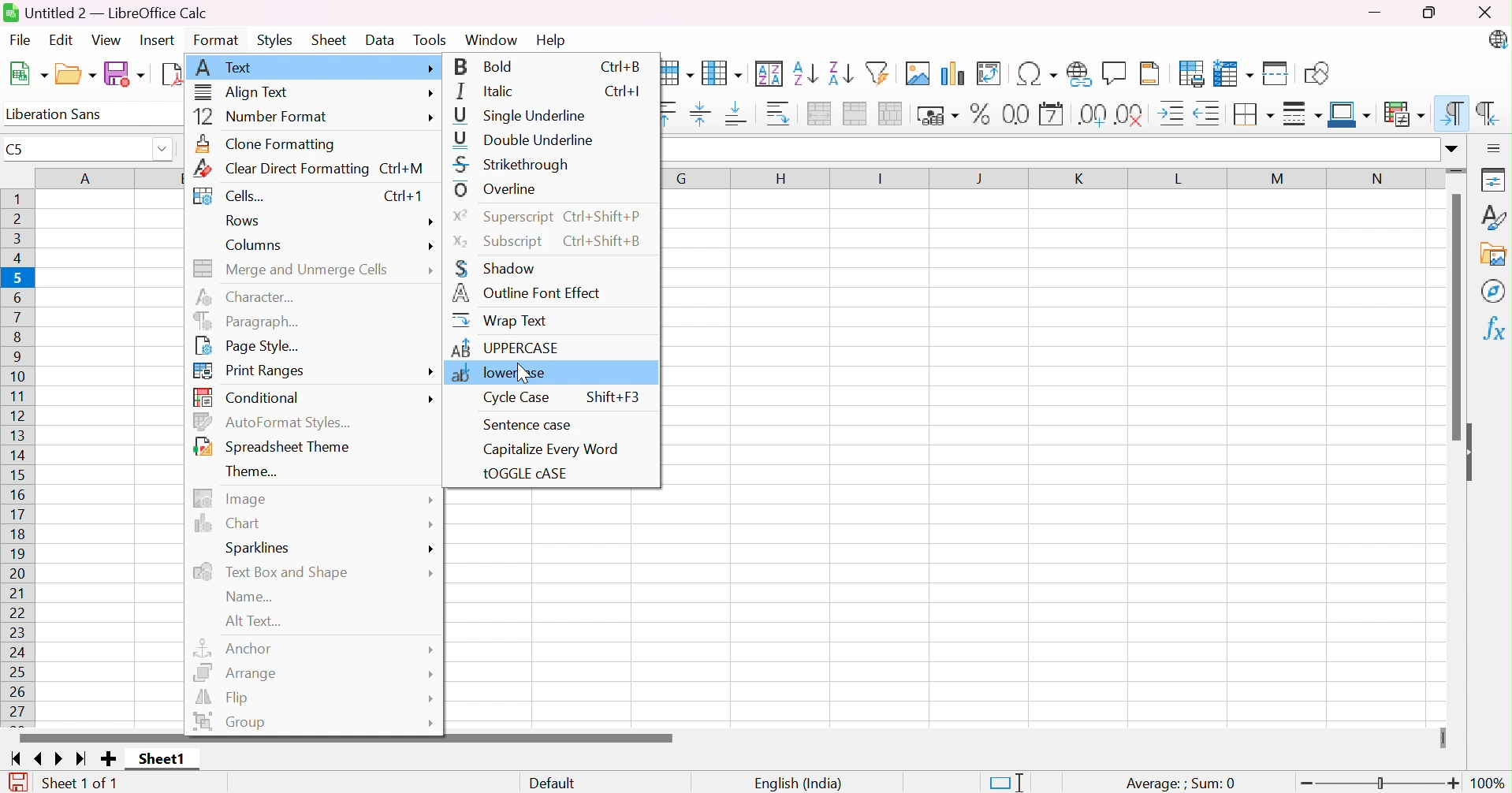 The width and height of the screenshot is (1512, 793). I want to click on Zoom Out, so click(1303, 785).